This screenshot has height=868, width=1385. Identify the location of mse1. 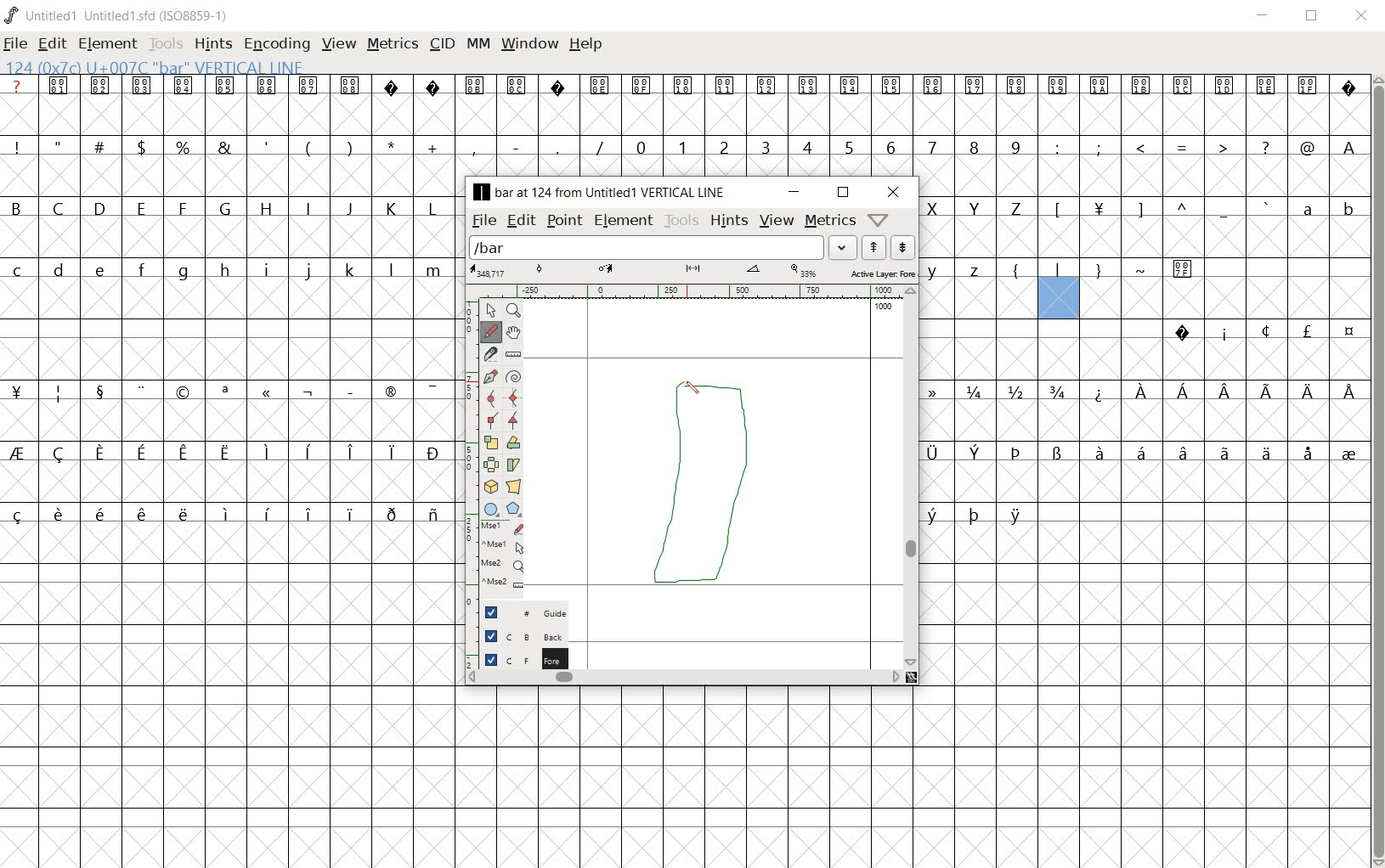
(500, 546).